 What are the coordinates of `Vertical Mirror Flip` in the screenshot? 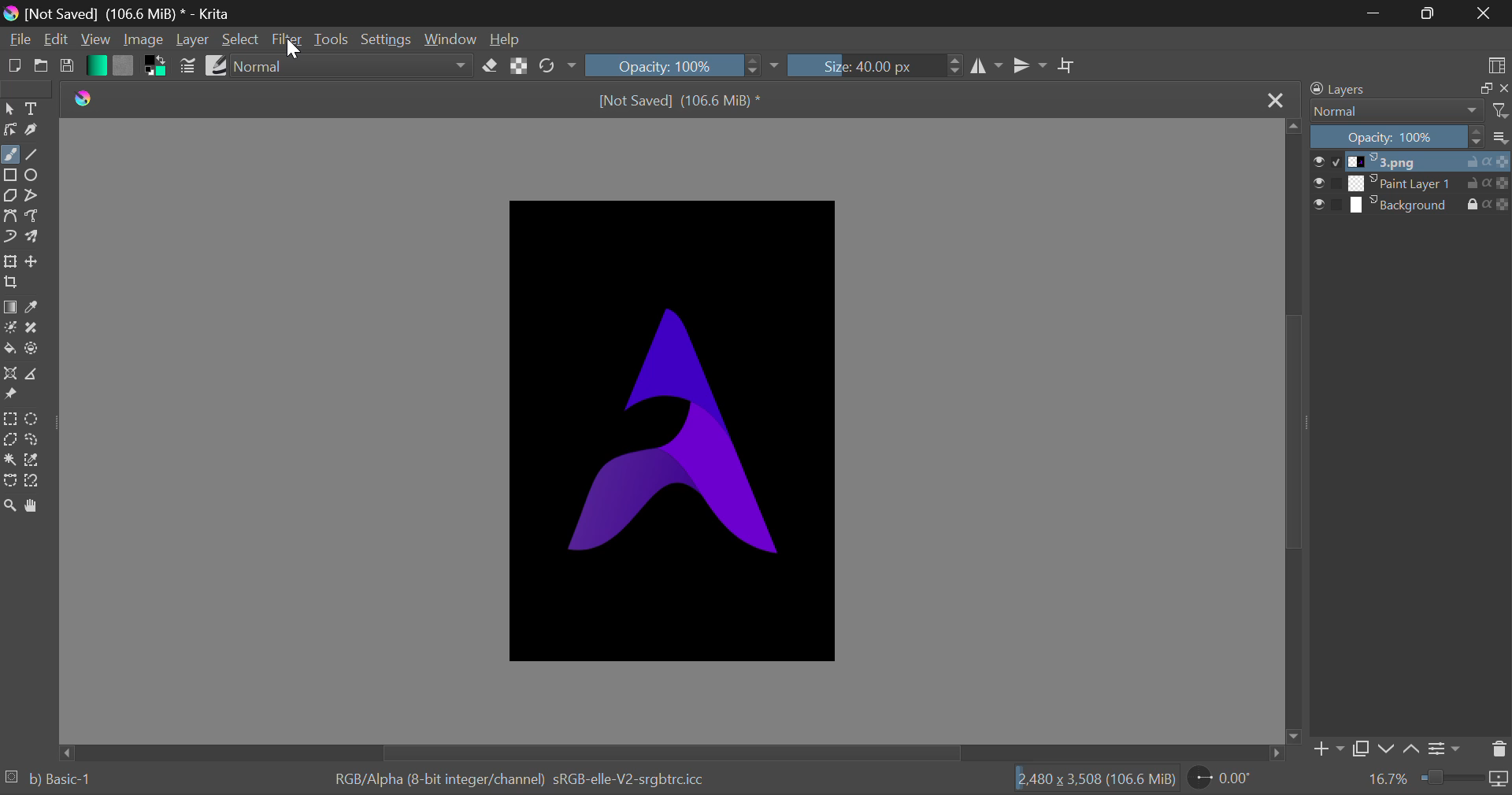 It's located at (987, 65).